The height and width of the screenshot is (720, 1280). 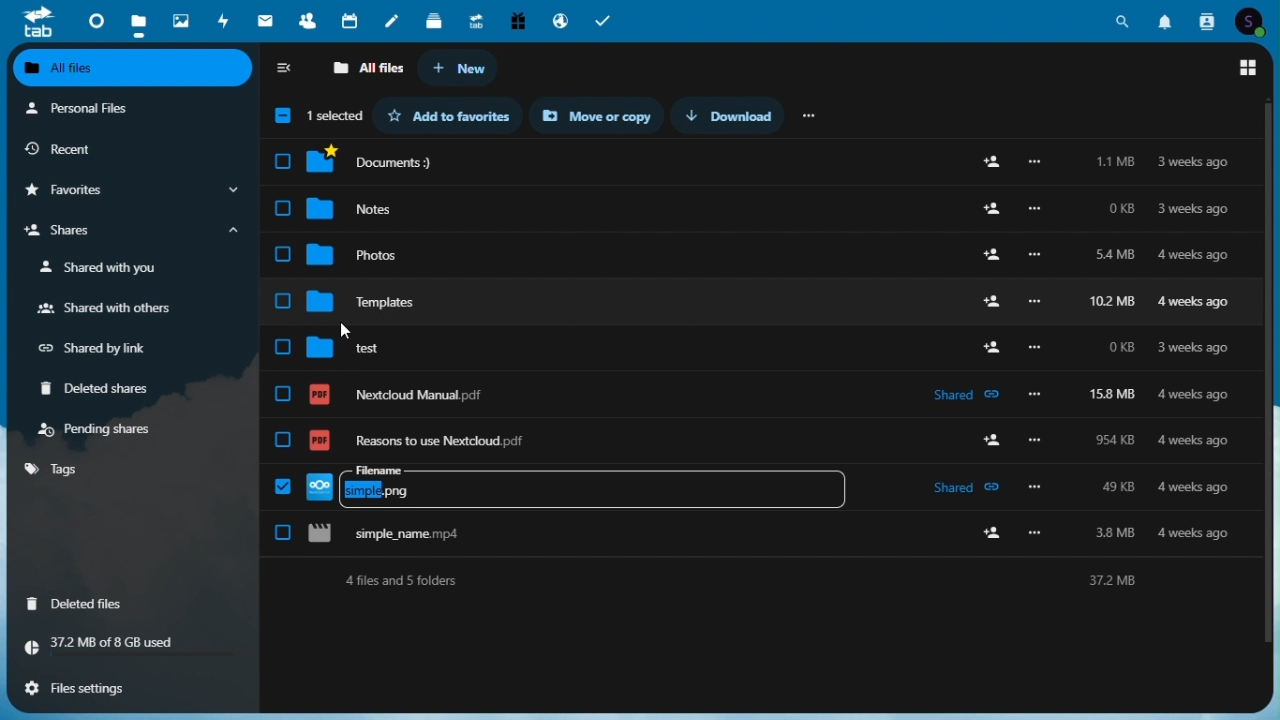 What do you see at coordinates (478, 19) in the screenshot?
I see `upgrade` at bounding box center [478, 19].